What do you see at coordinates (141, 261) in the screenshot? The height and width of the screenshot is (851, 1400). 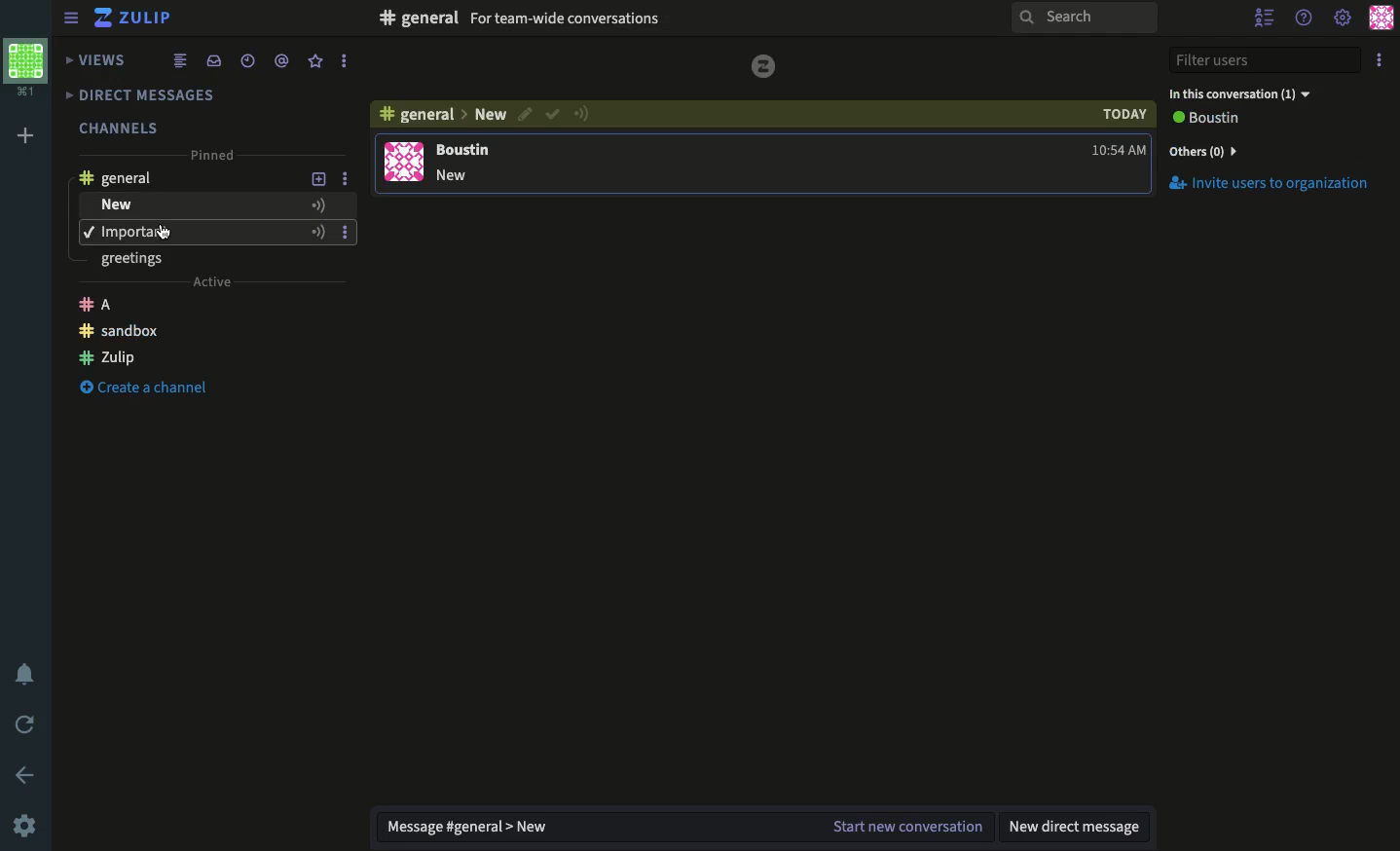 I see `greetings - topic` at bounding box center [141, 261].